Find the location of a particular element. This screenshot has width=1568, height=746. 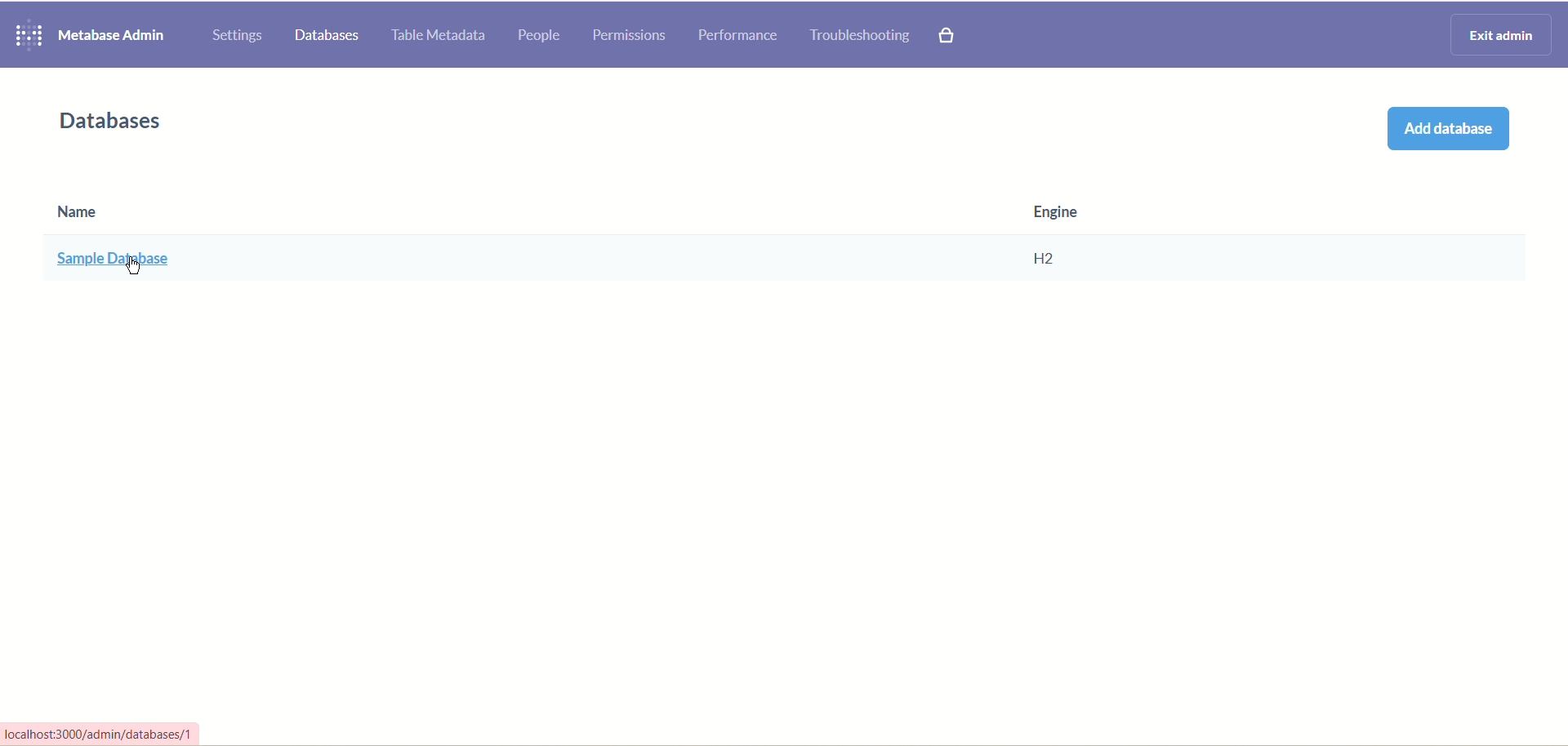

engine is located at coordinates (1055, 238).